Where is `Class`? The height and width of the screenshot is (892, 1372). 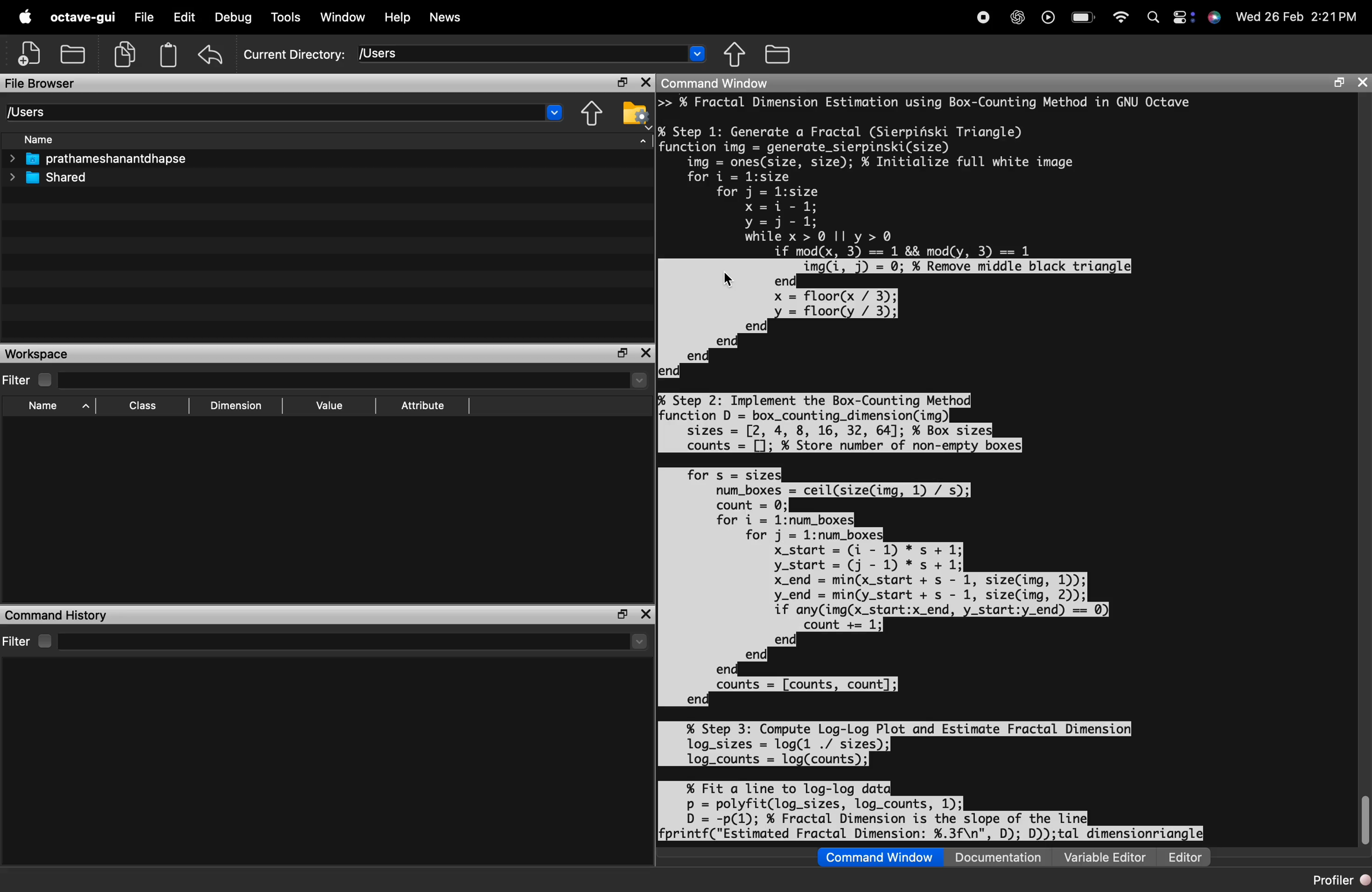
Class is located at coordinates (144, 405).